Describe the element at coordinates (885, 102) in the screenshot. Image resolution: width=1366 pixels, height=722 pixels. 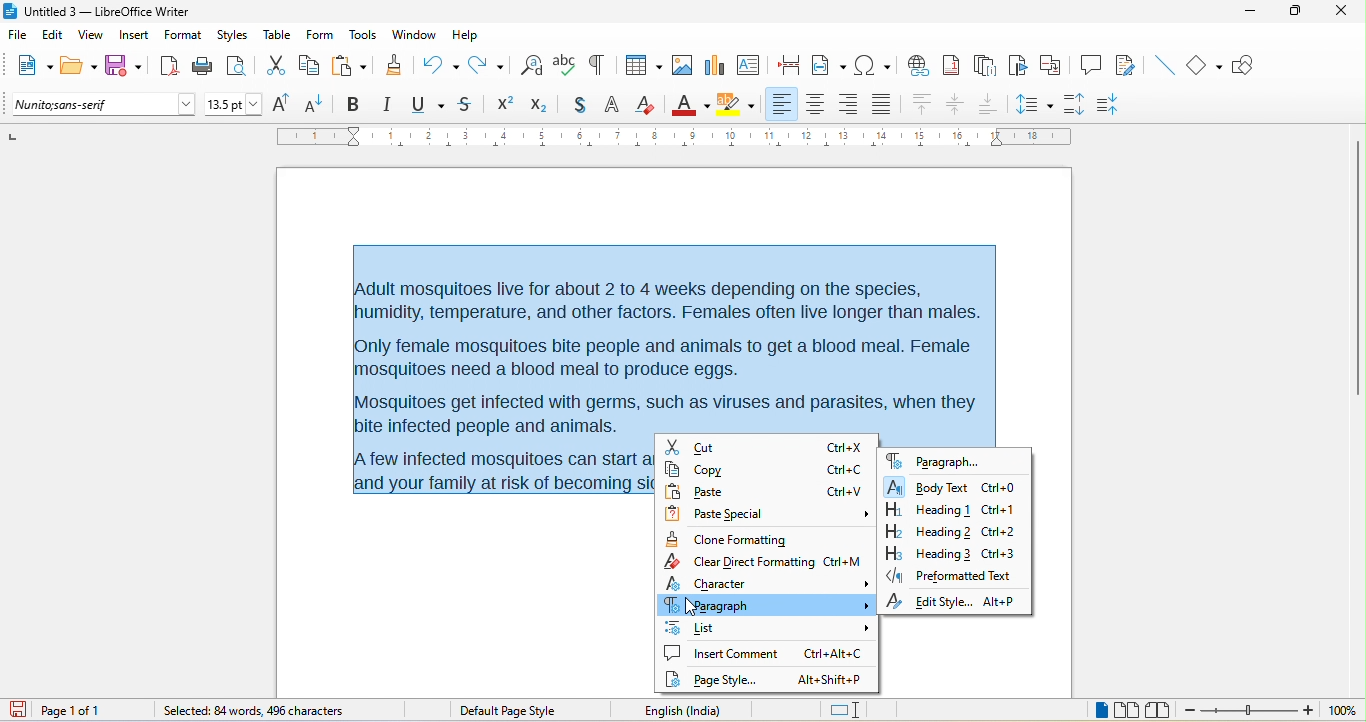
I see `justified` at that location.